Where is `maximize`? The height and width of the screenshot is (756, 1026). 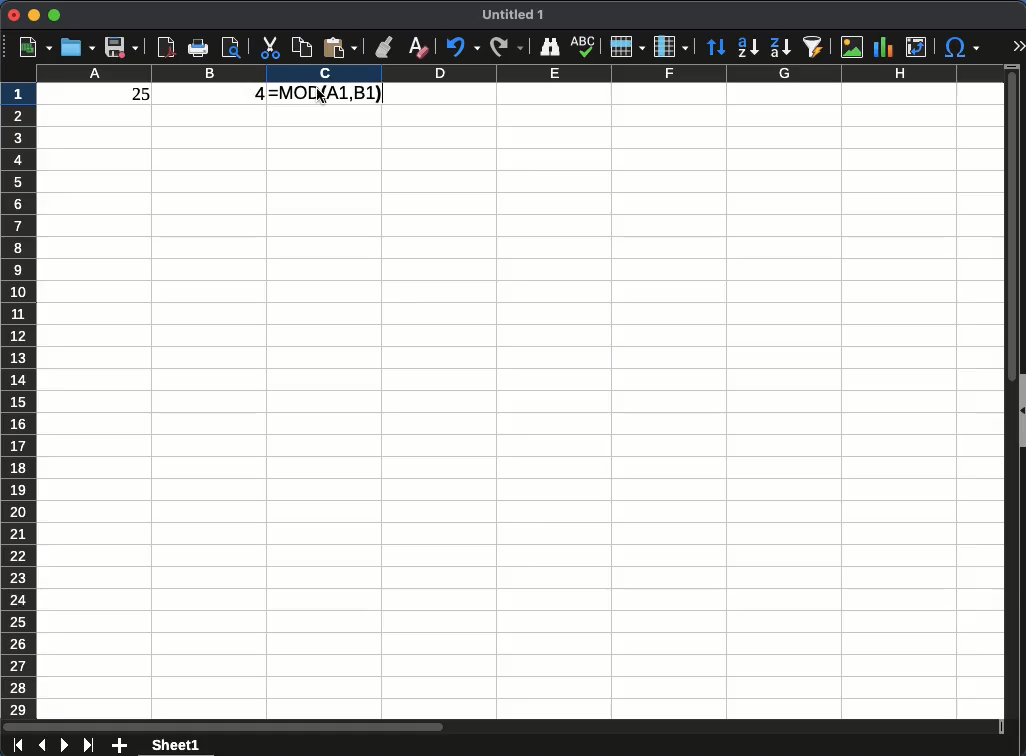 maximize is located at coordinates (53, 15).